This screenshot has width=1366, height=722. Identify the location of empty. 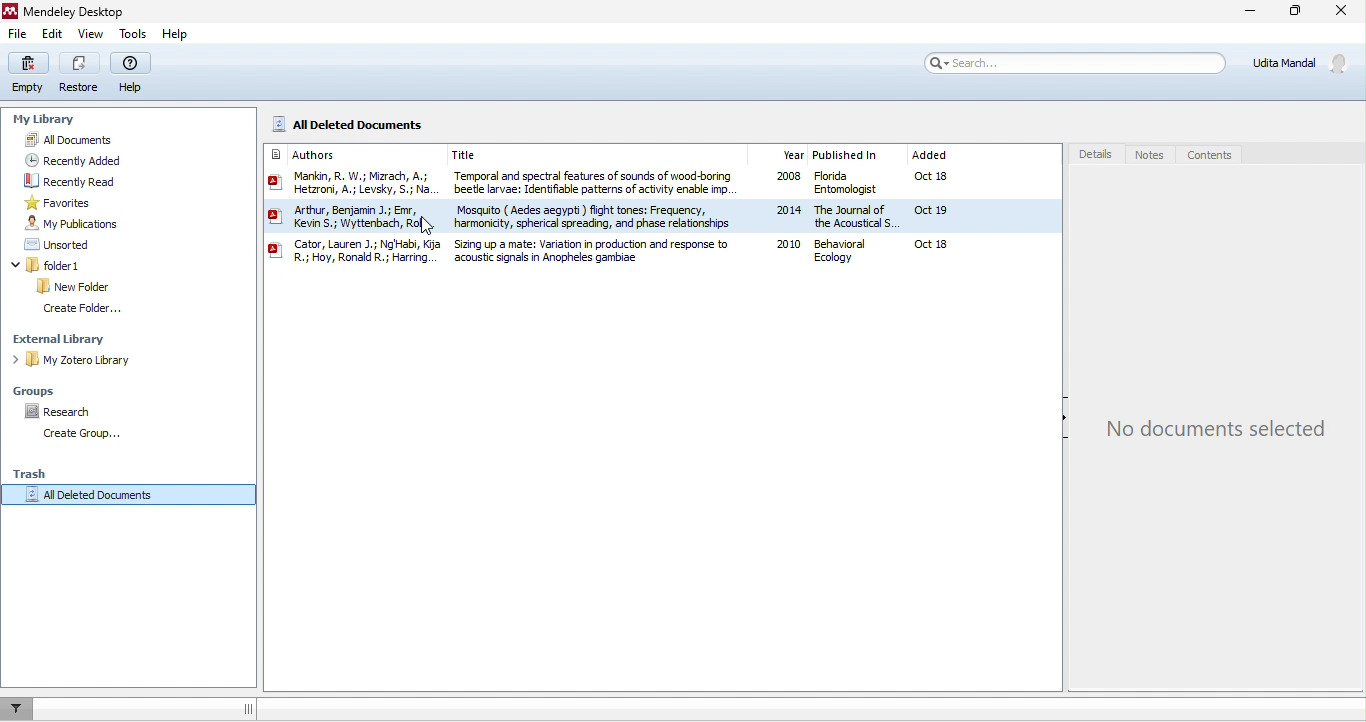
(31, 73).